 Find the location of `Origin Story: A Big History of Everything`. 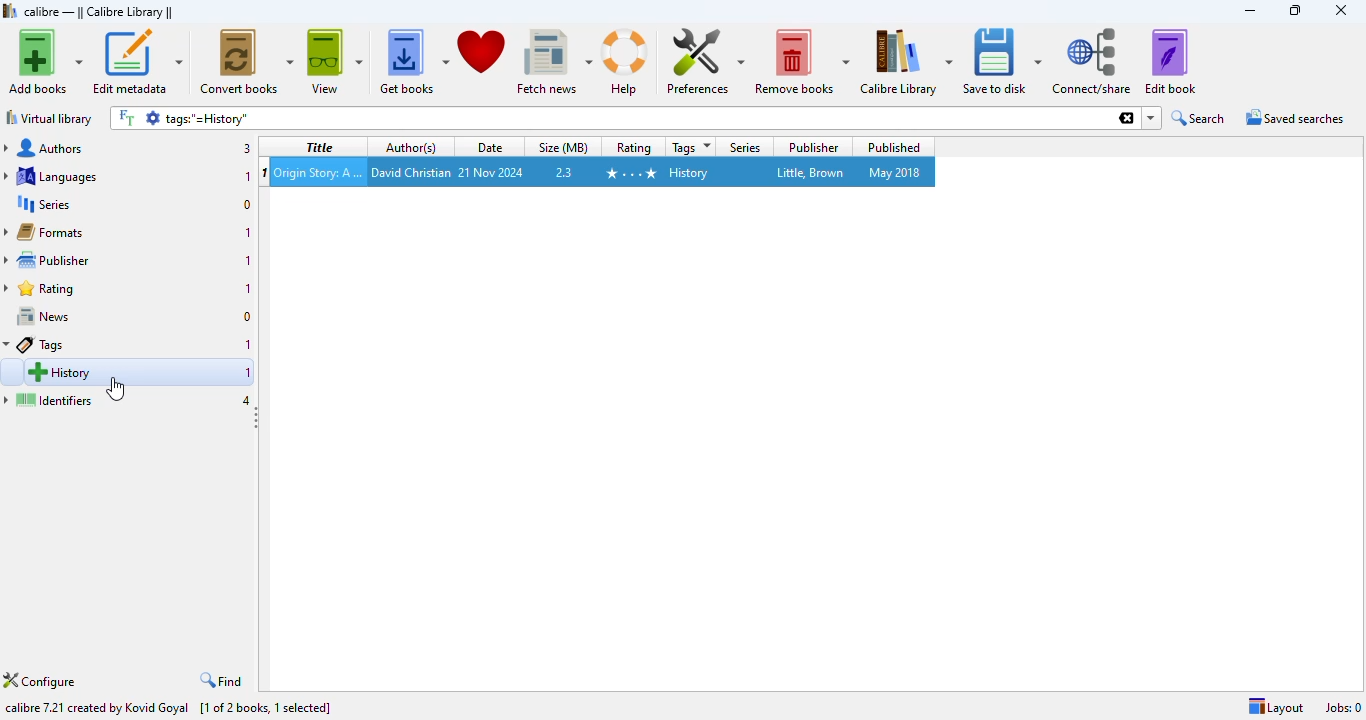

Origin Story: A Big History of Everything is located at coordinates (320, 173).